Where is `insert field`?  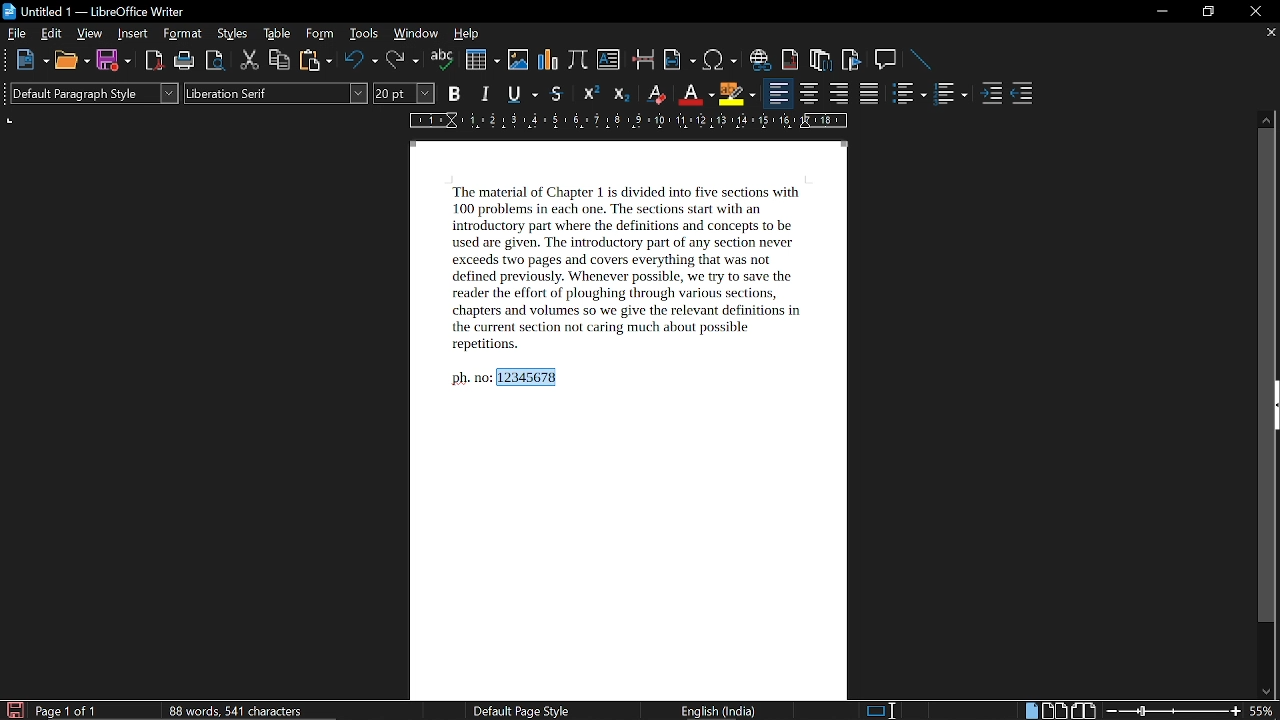 insert field is located at coordinates (678, 60).